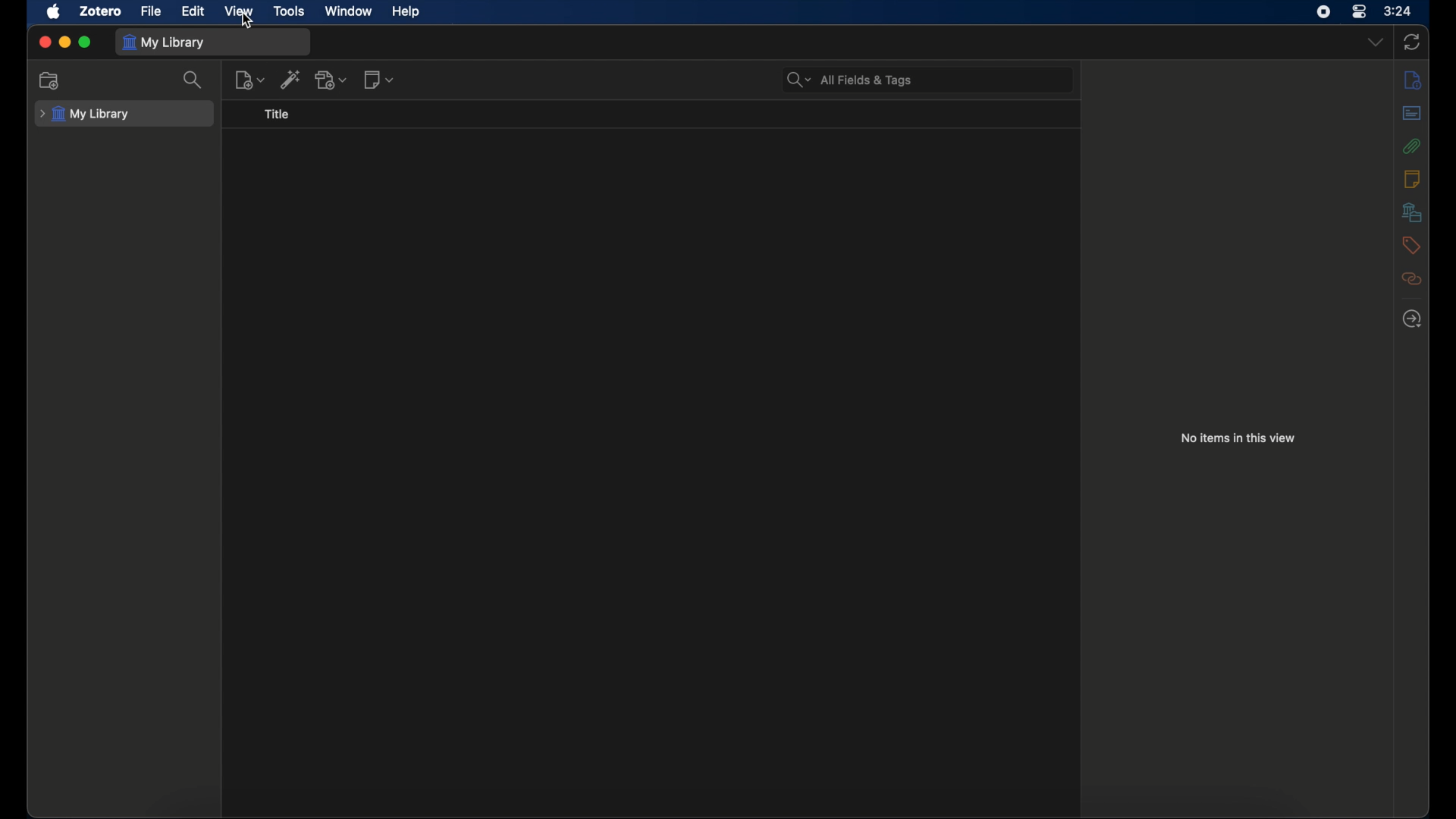 This screenshot has width=1456, height=819. Describe the element at coordinates (1412, 112) in the screenshot. I see `abstract` at that location.